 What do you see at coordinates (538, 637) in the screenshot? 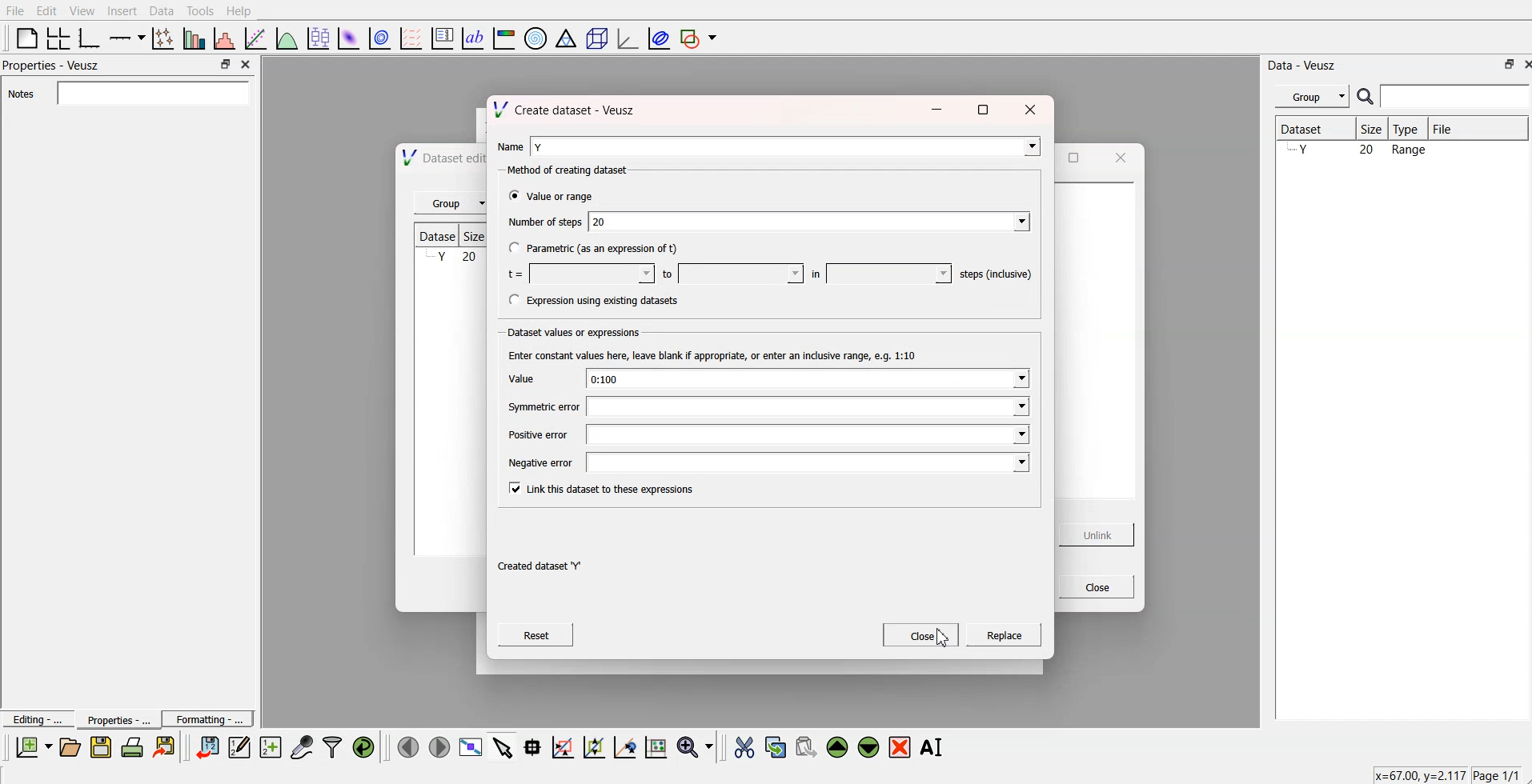
I see `Reset` at bounding box center [538, 637].